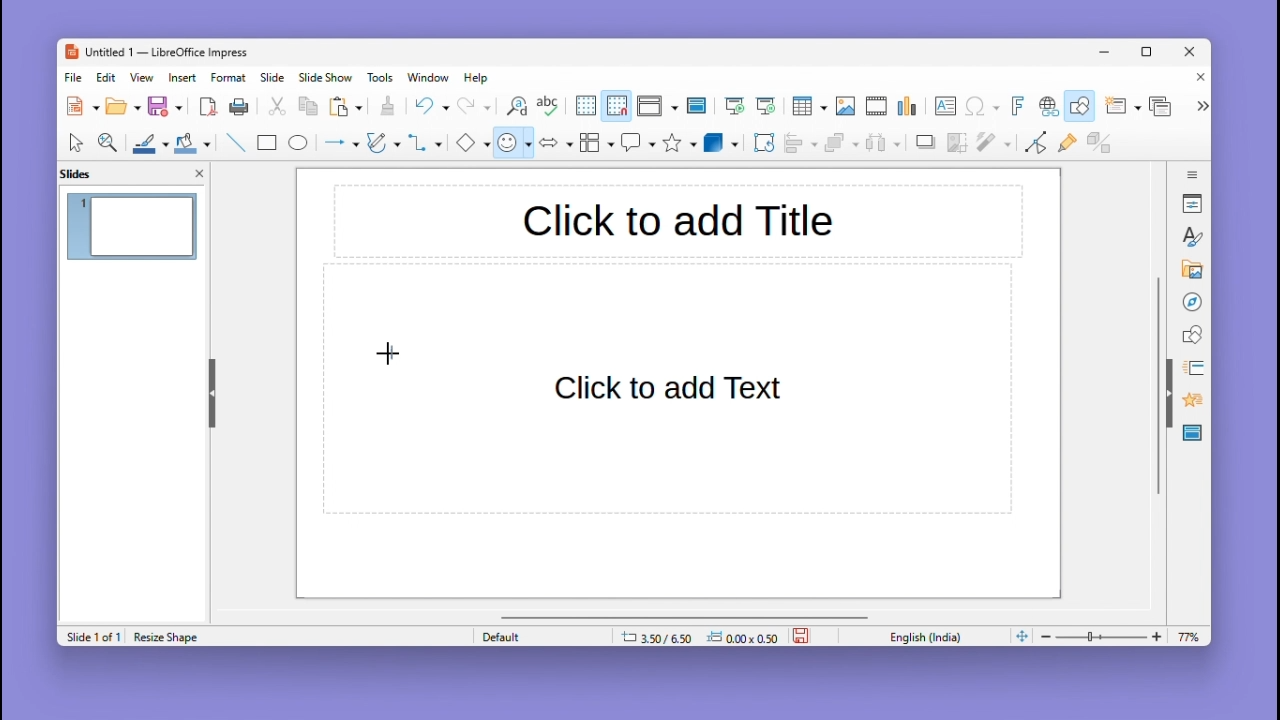 This screenshot has height=720, width=1280. I want to click on Video, so click(876, 107).